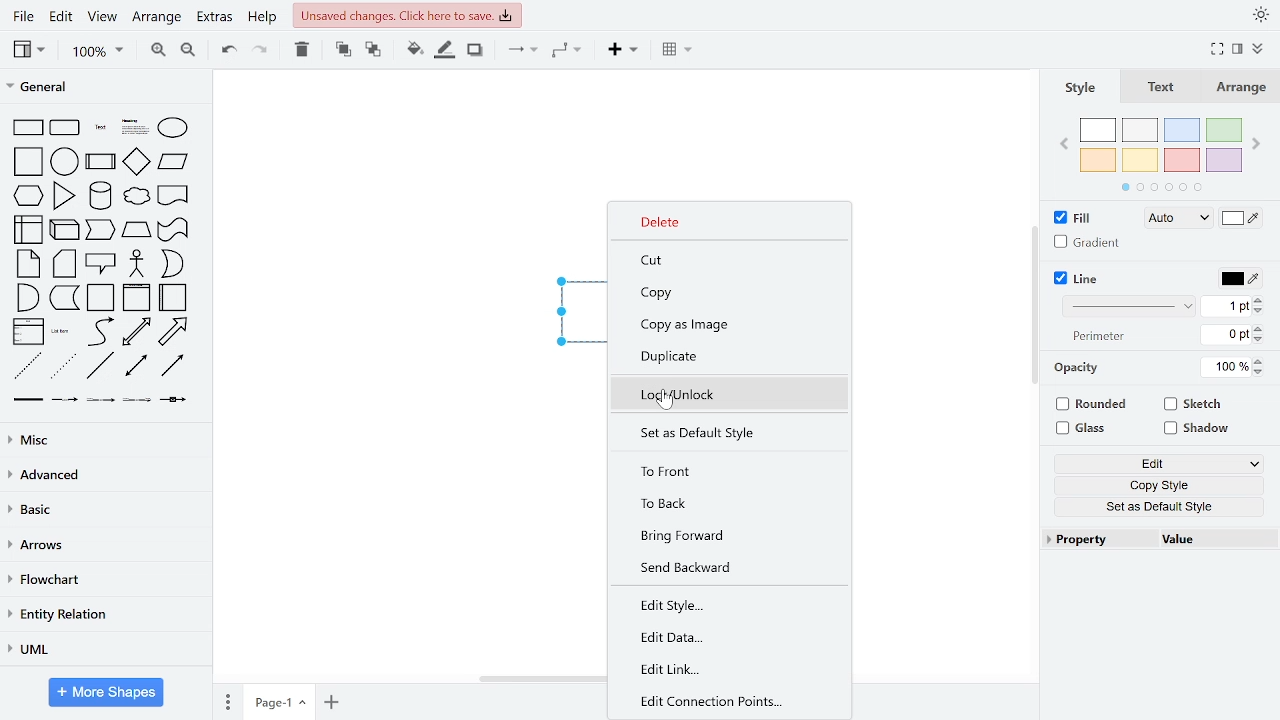  What do you see at coordinates (722, 637) in the screenshot?
I see `edit data` at bounding box center [722, 637].